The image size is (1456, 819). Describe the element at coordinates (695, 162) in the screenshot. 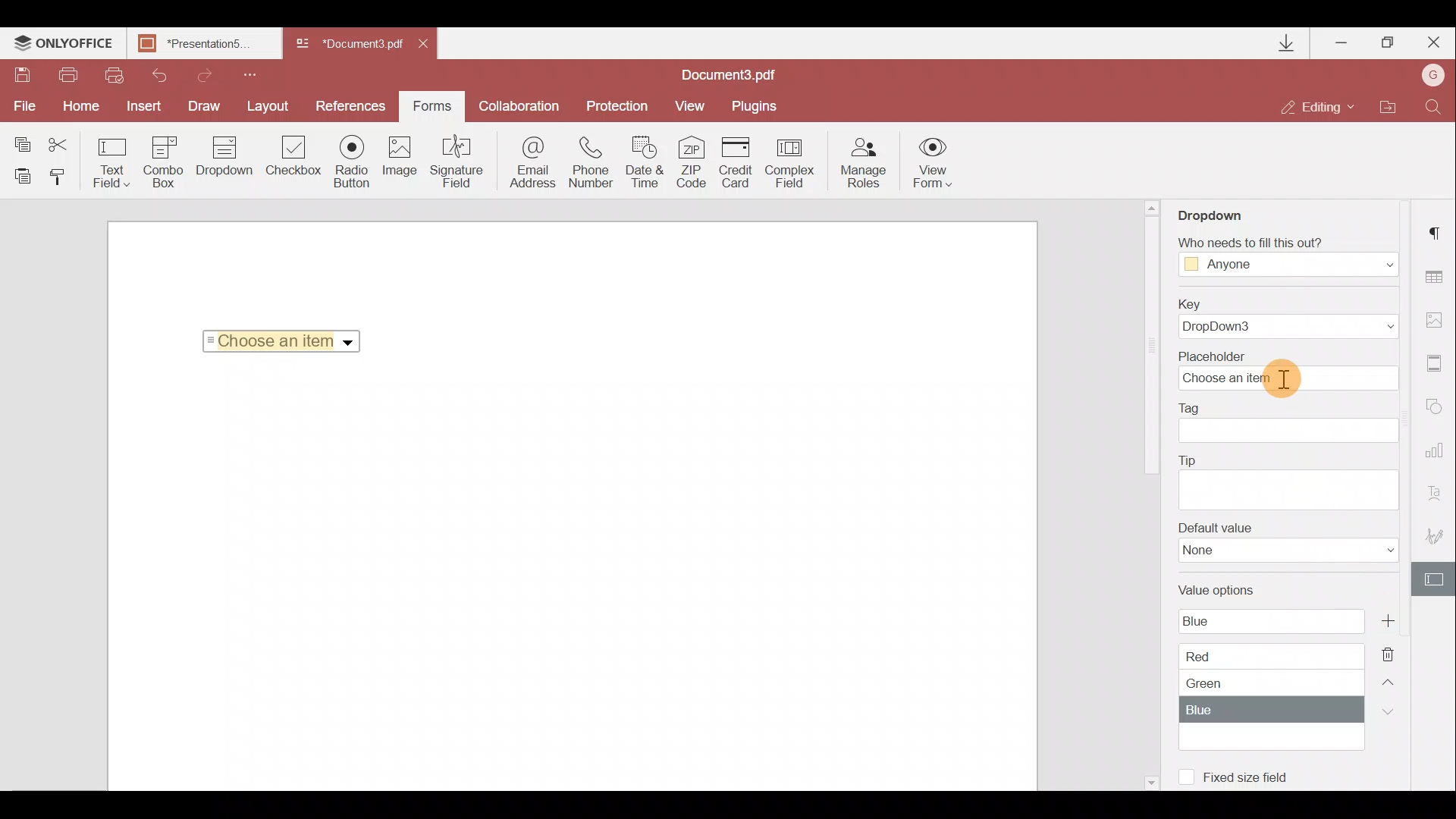

I see `ZIP code` at that location.